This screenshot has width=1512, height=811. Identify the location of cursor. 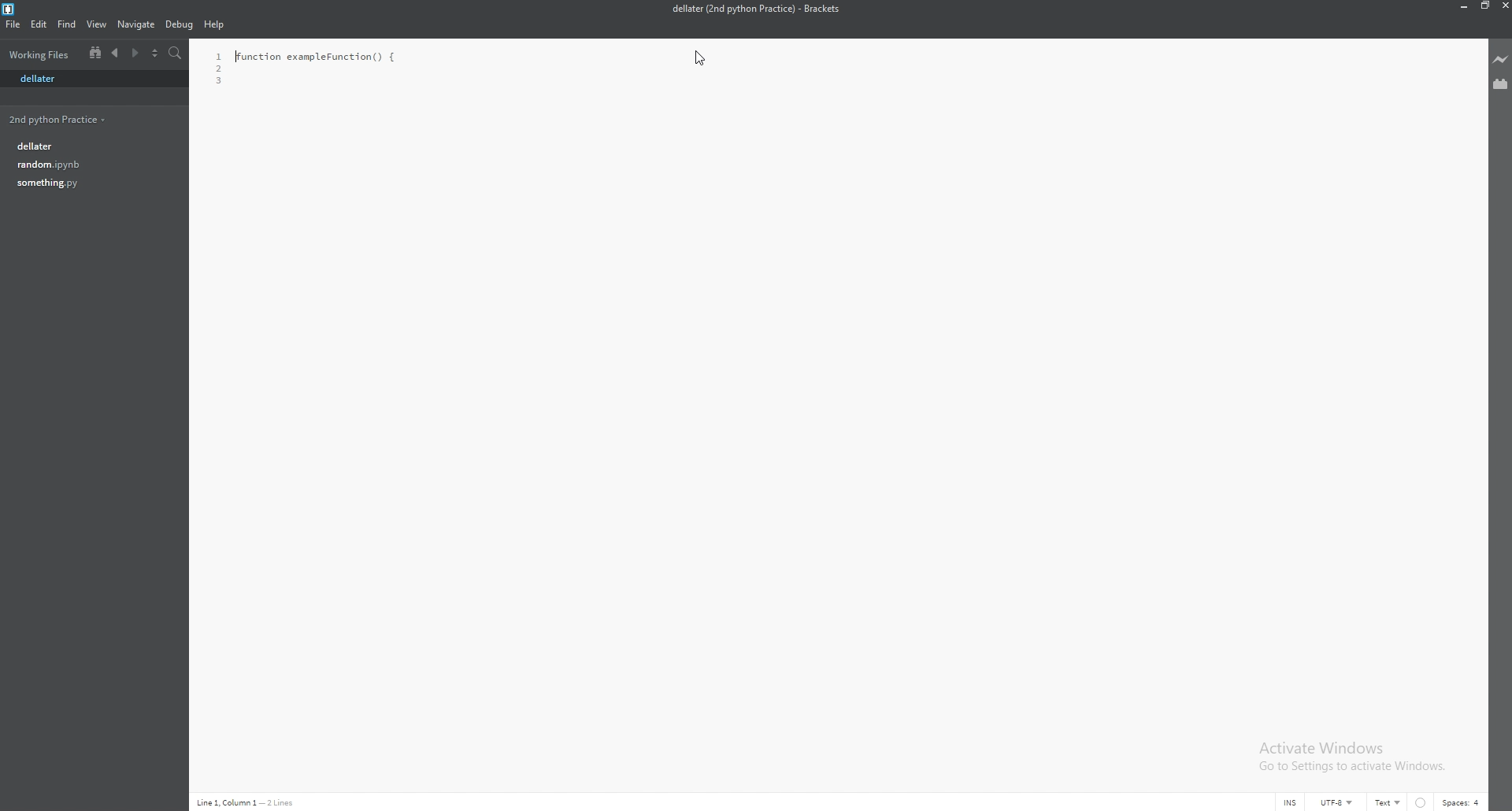
(702, 58).